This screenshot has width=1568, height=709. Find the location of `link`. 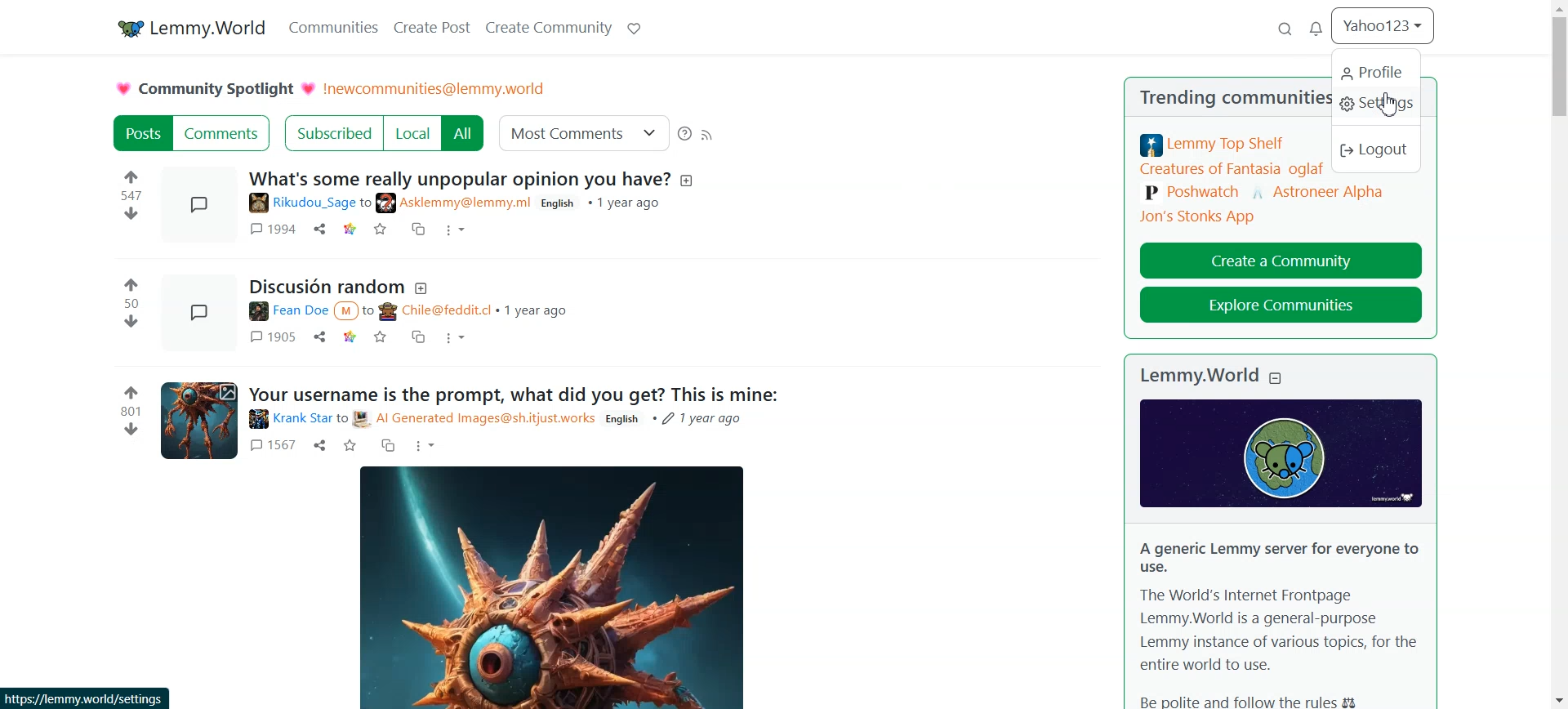

link is located at coordinates (352, 338).